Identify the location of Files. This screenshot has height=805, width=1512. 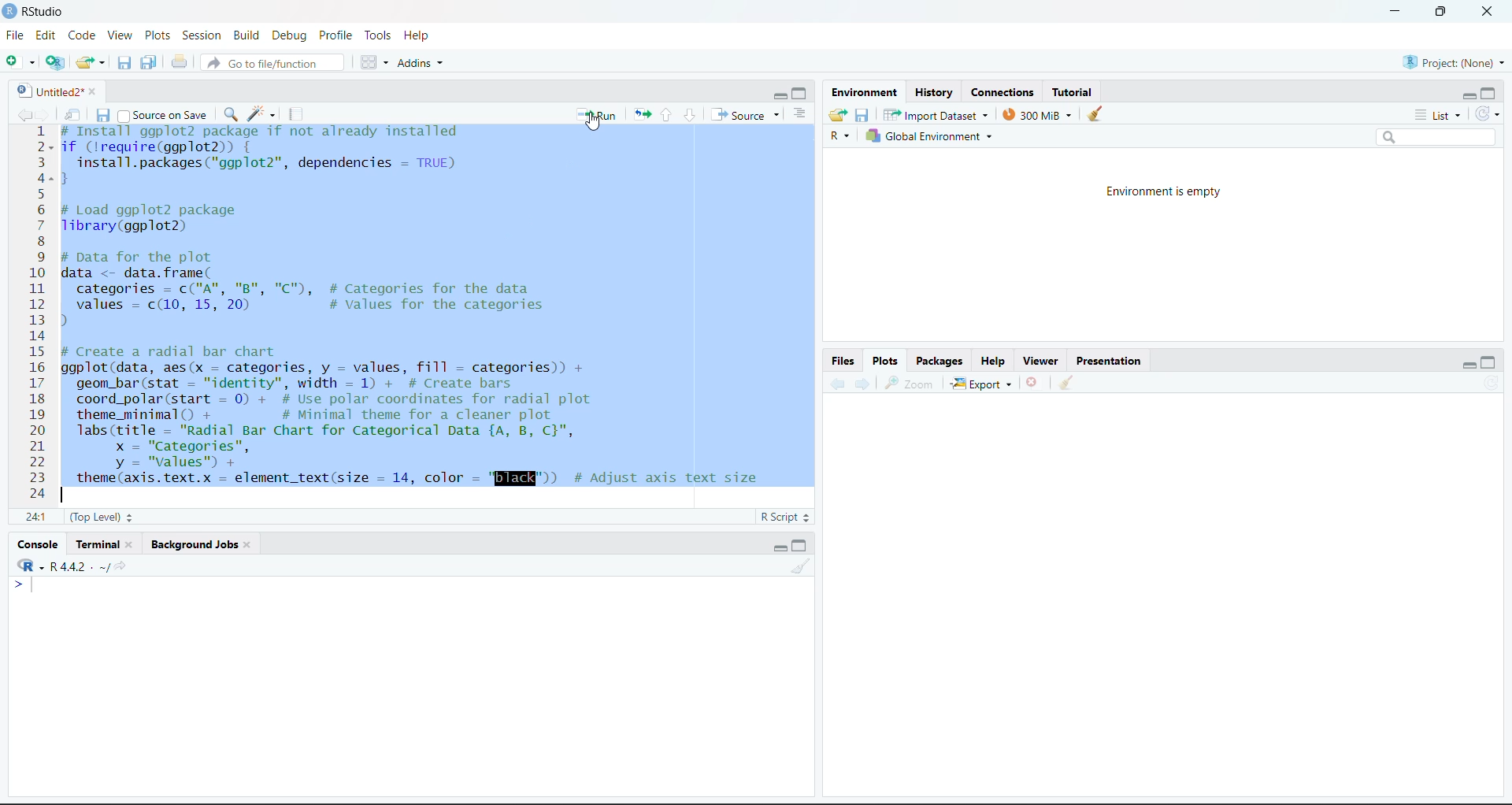
(844, 362).